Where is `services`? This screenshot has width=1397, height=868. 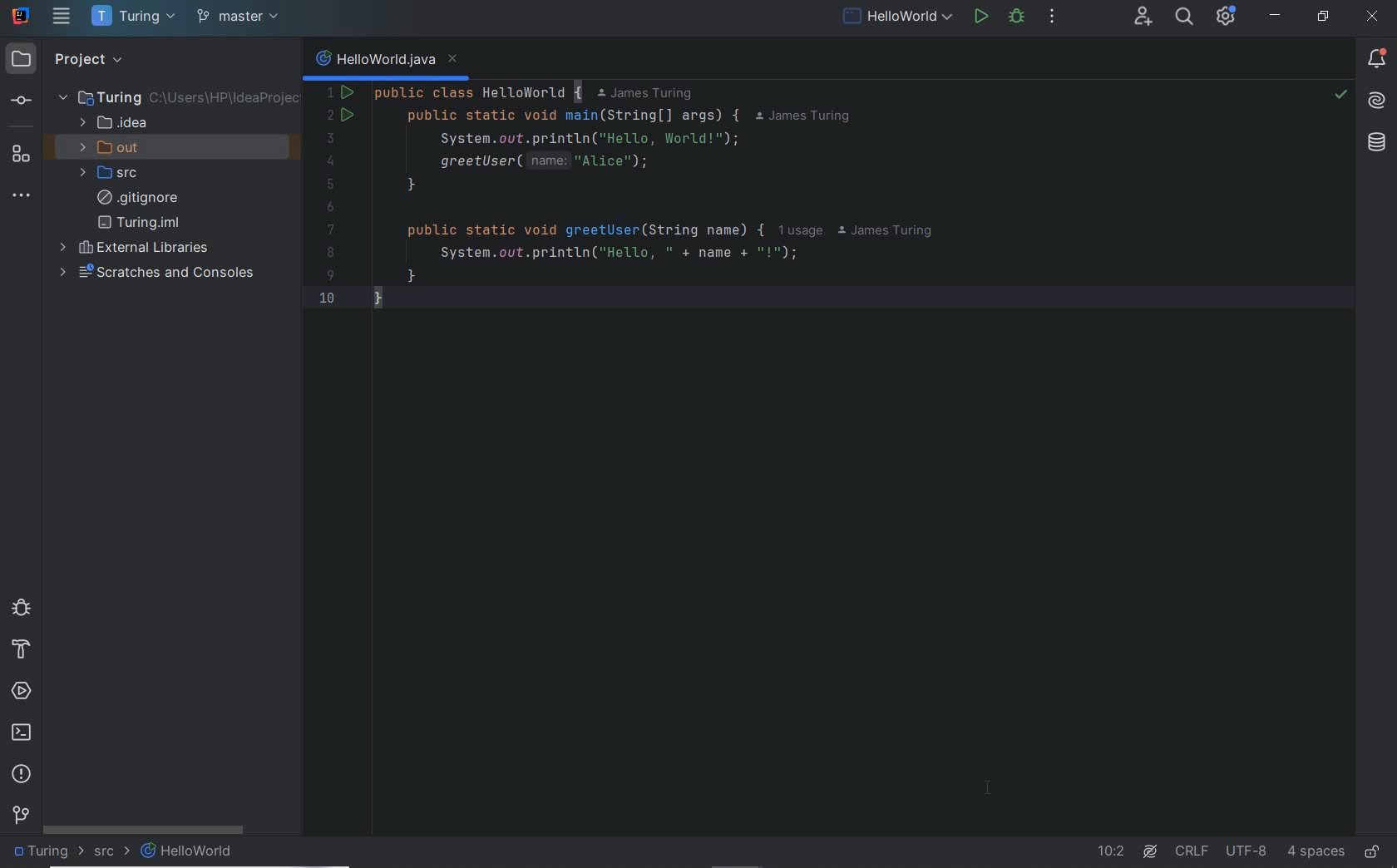
services is located at coordinates (23, 692).